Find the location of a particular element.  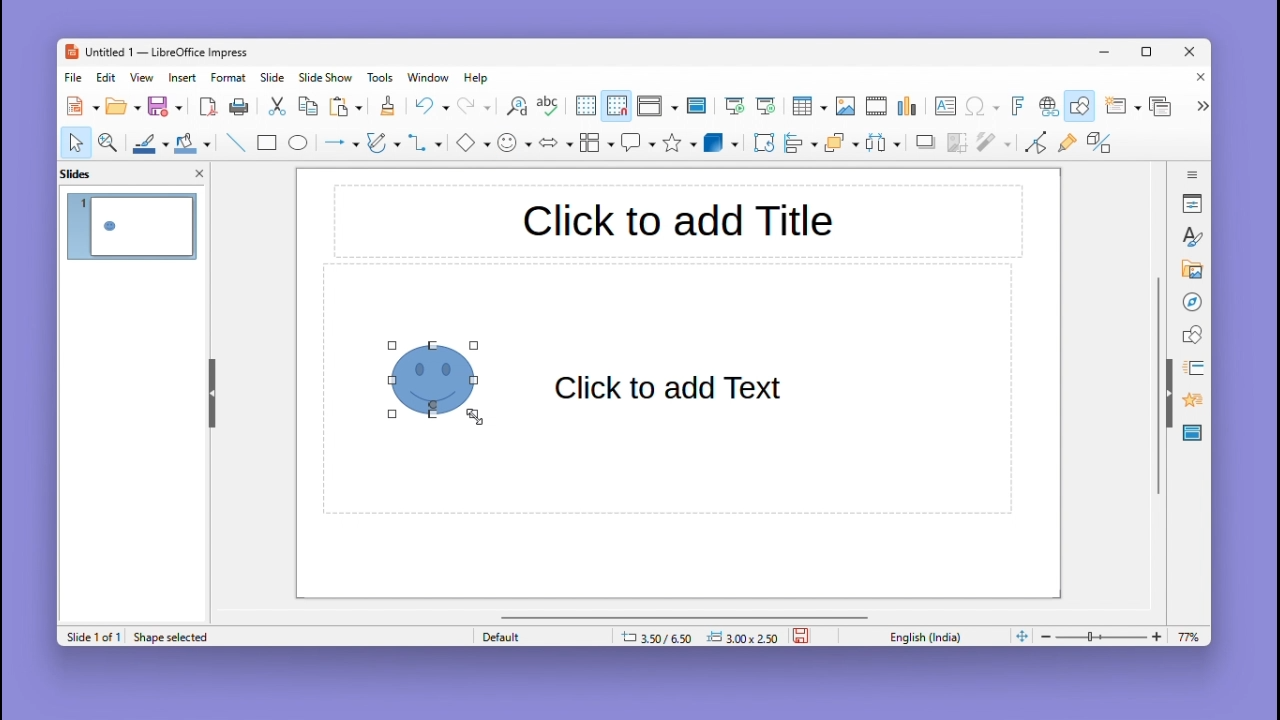

dimensions is located at coordinates (699, 636).